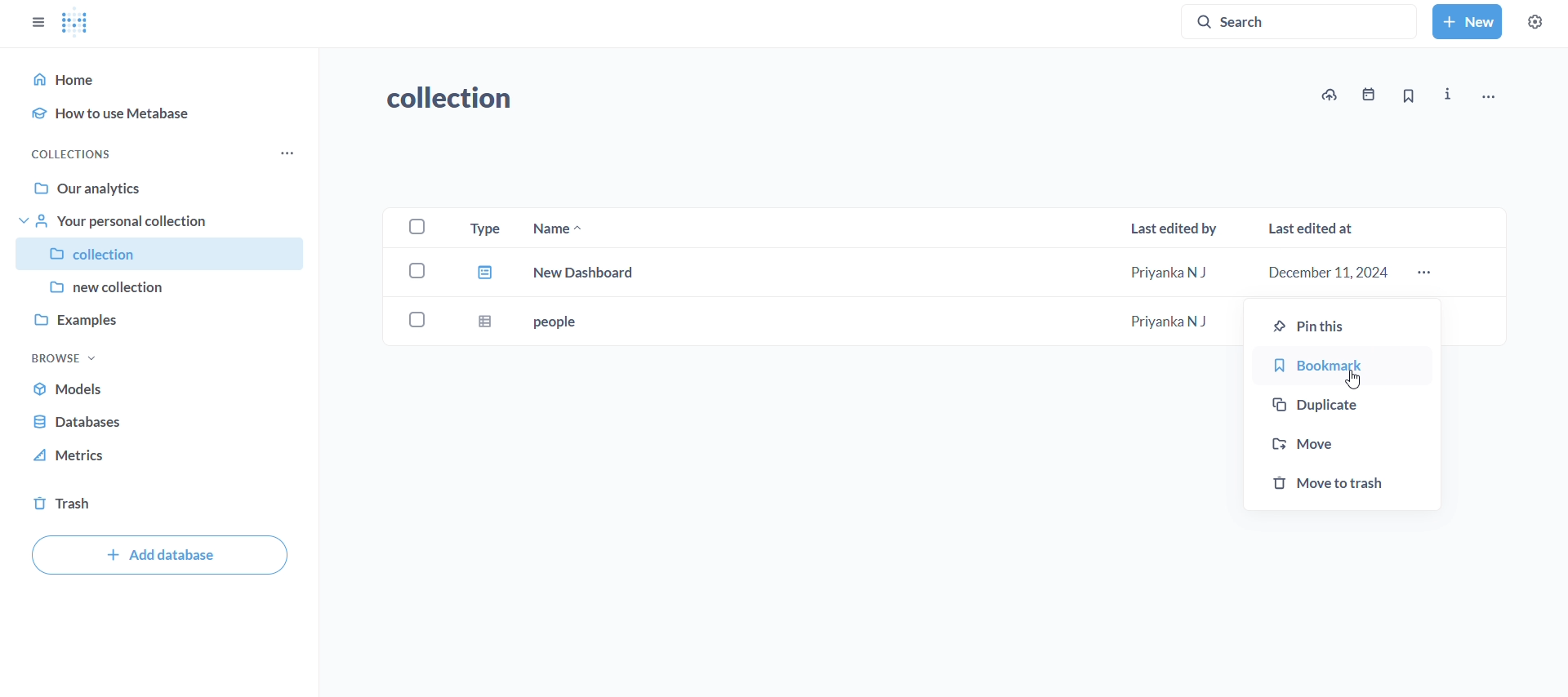 This screenshot has height=697, width=1568. I want to click on last edited at, so click(1315, 229).